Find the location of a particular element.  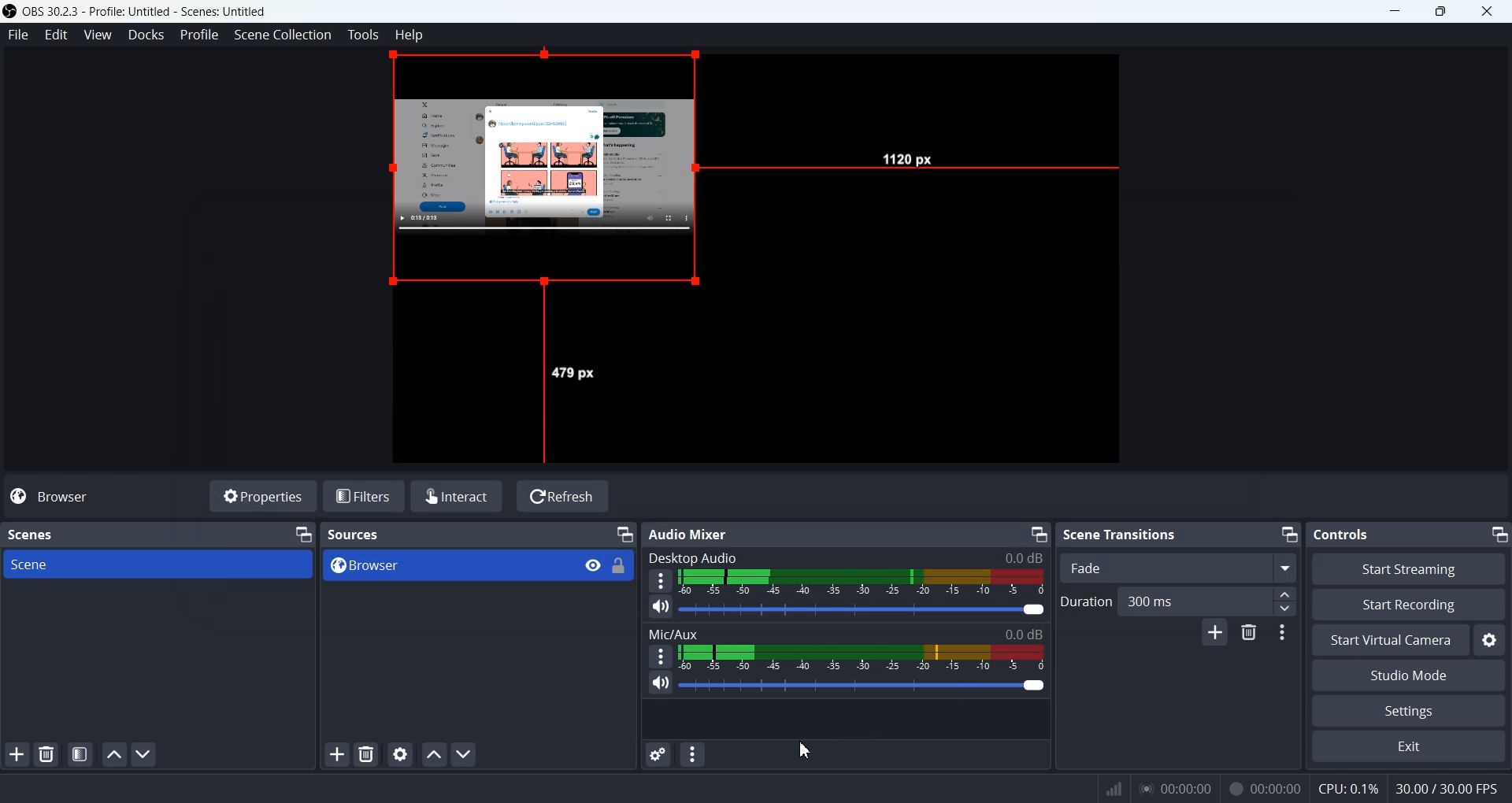

Volume indicator is located at coordinates (865, 581).